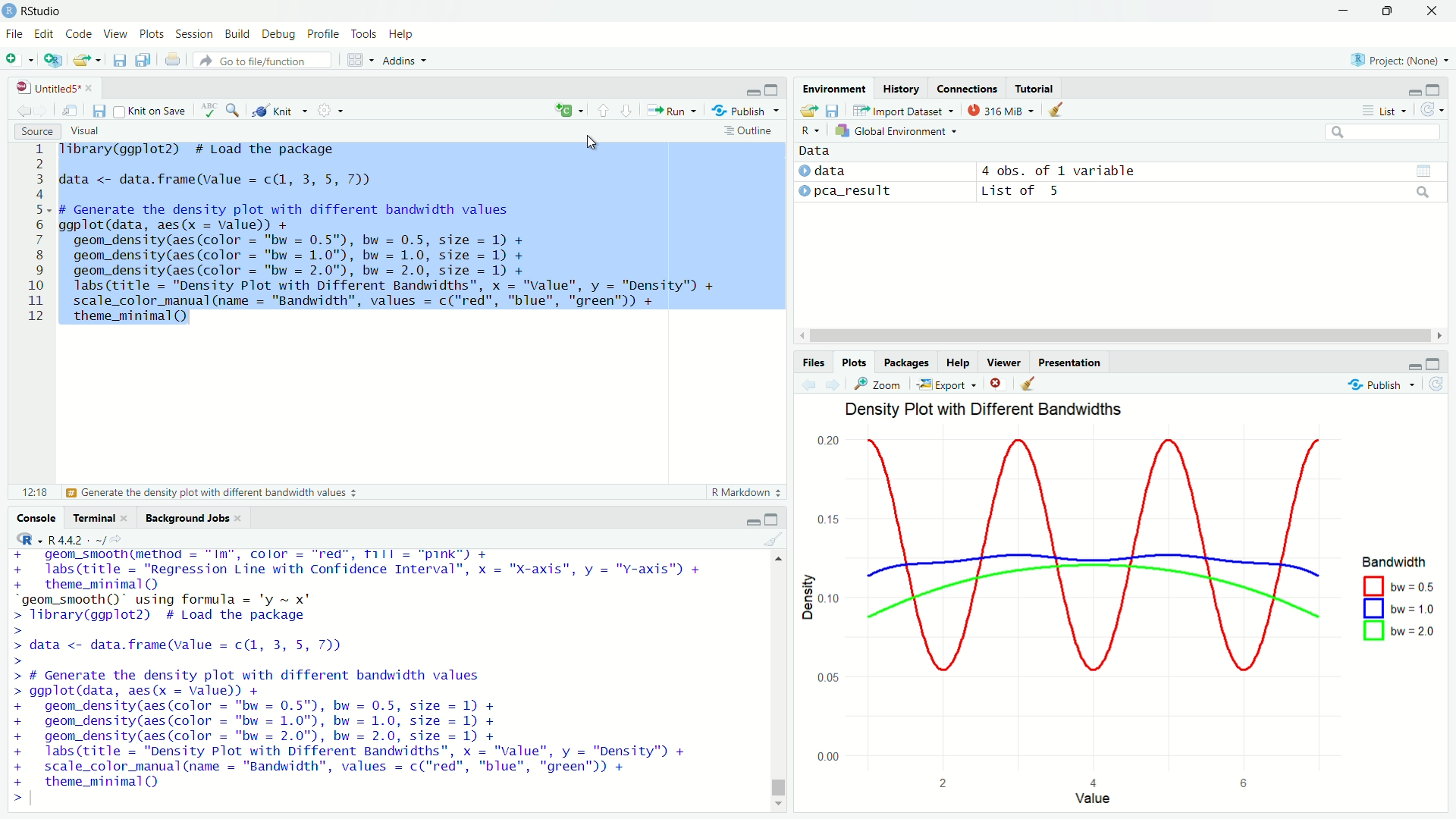  I want to click on Files, so click(813, 362).